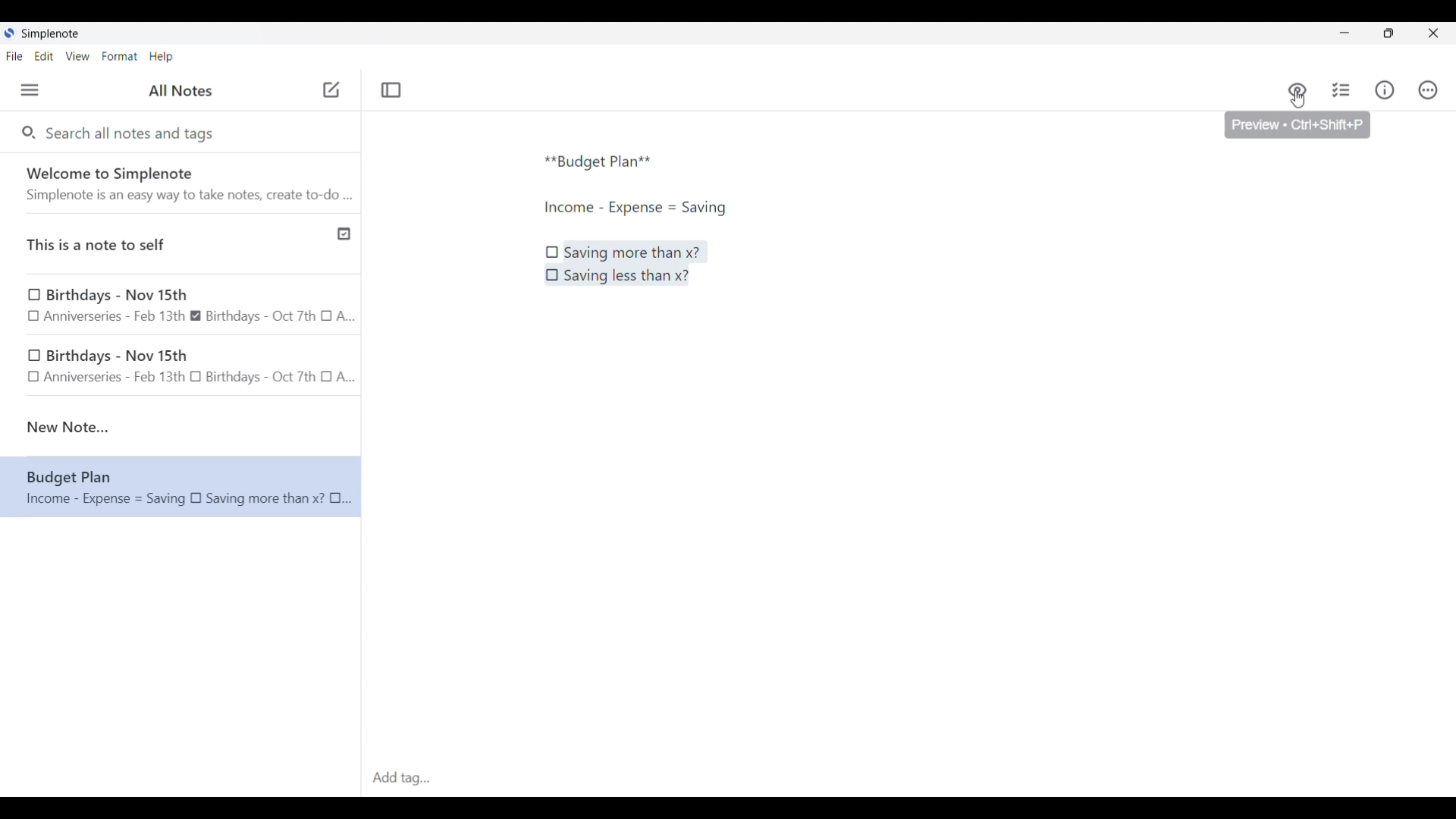 The height and width of the screenshot is (819, 1456). What do you see at coordinates (331, 89) in the screenshot?
I see `Click to add new note` at bounding box center [331, 89].